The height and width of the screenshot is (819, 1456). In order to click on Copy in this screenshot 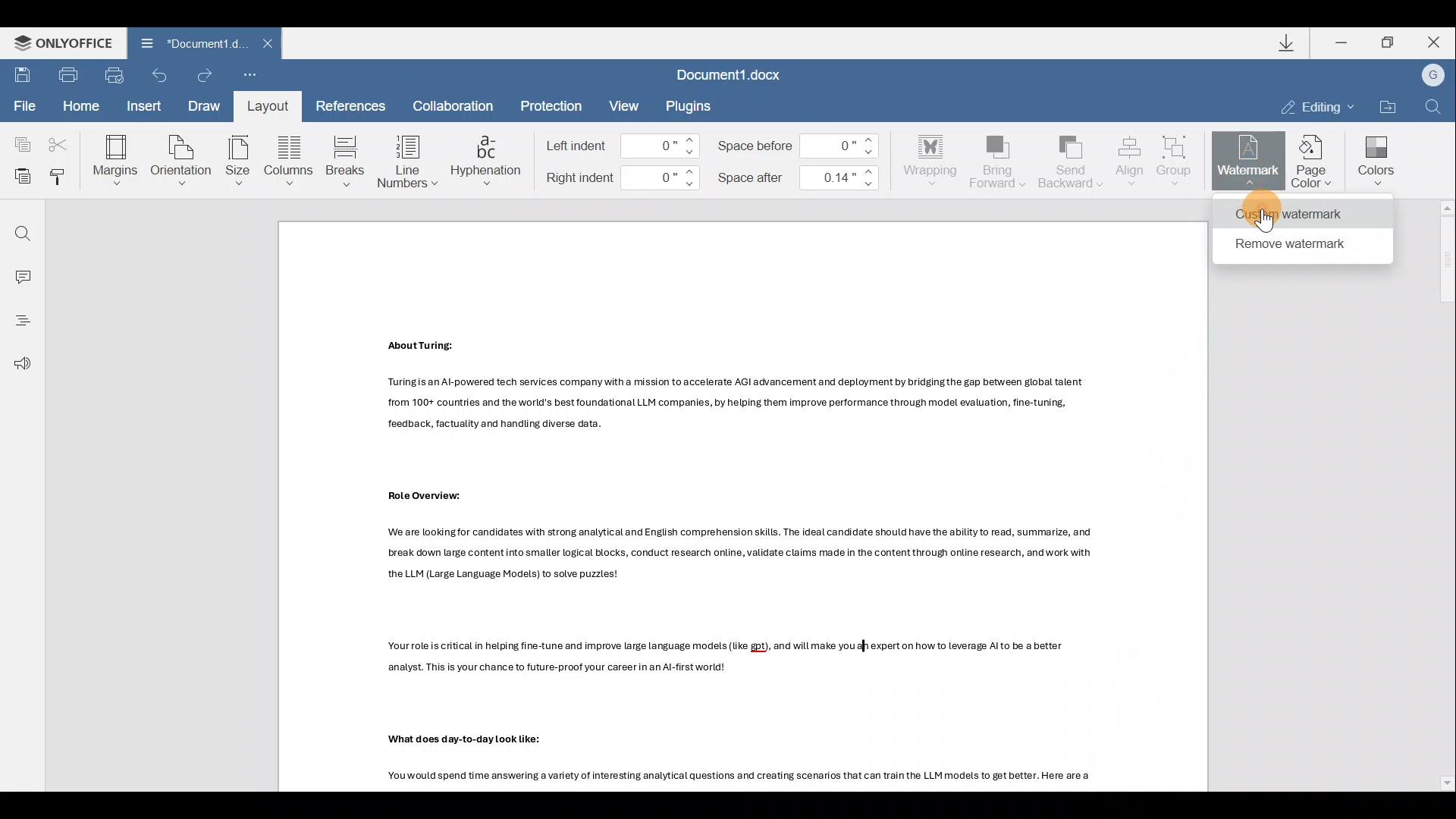, I will do `click(19, 142)`.